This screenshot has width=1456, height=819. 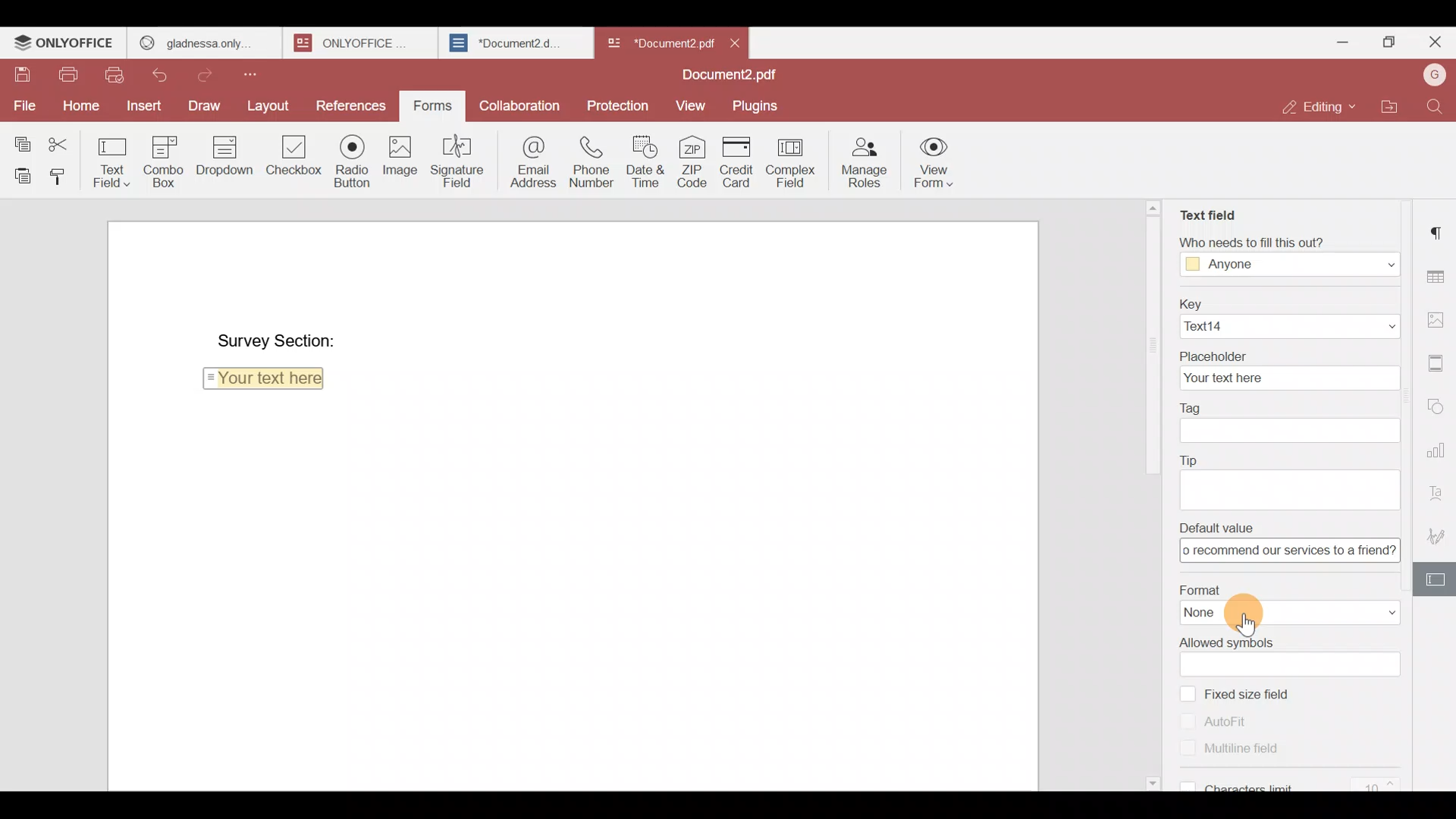 I want to click on Anyone, so click(x=1289, y=265).